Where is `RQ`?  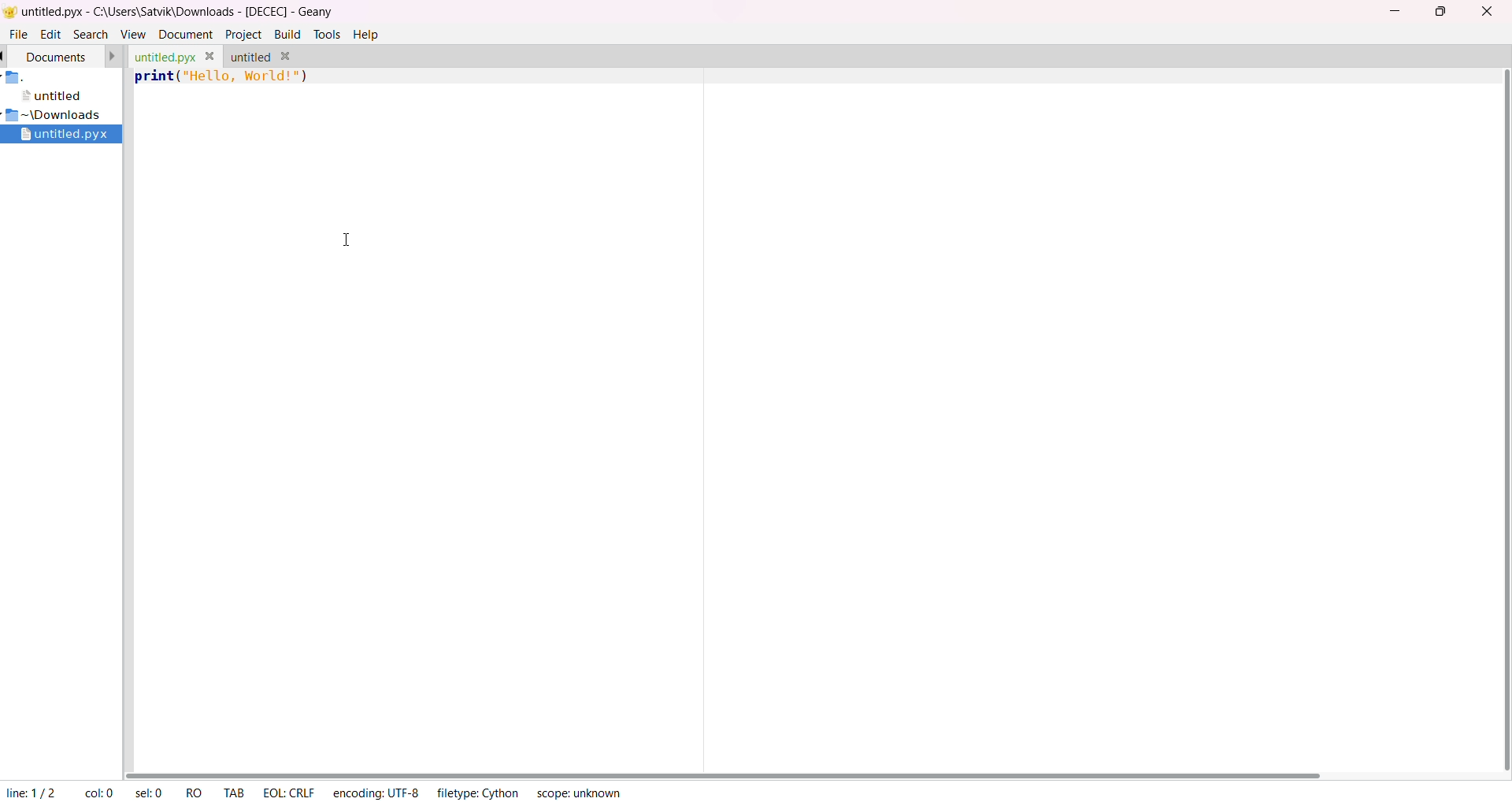
RQ is located at coordinates (194, 791).